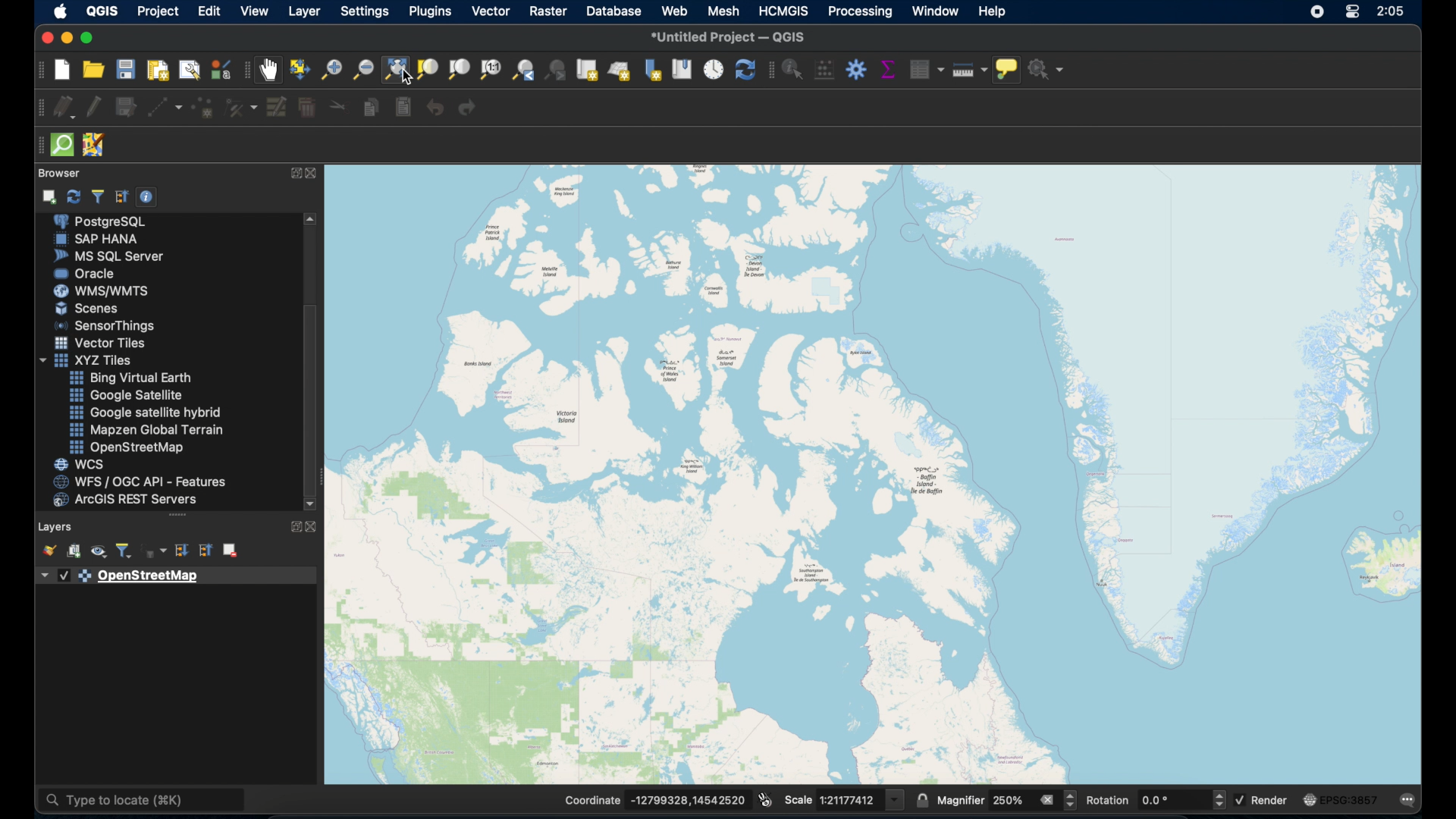 The width and height of the screenshot is (1456, 819). I want to click on messages, so click(1411, 799).